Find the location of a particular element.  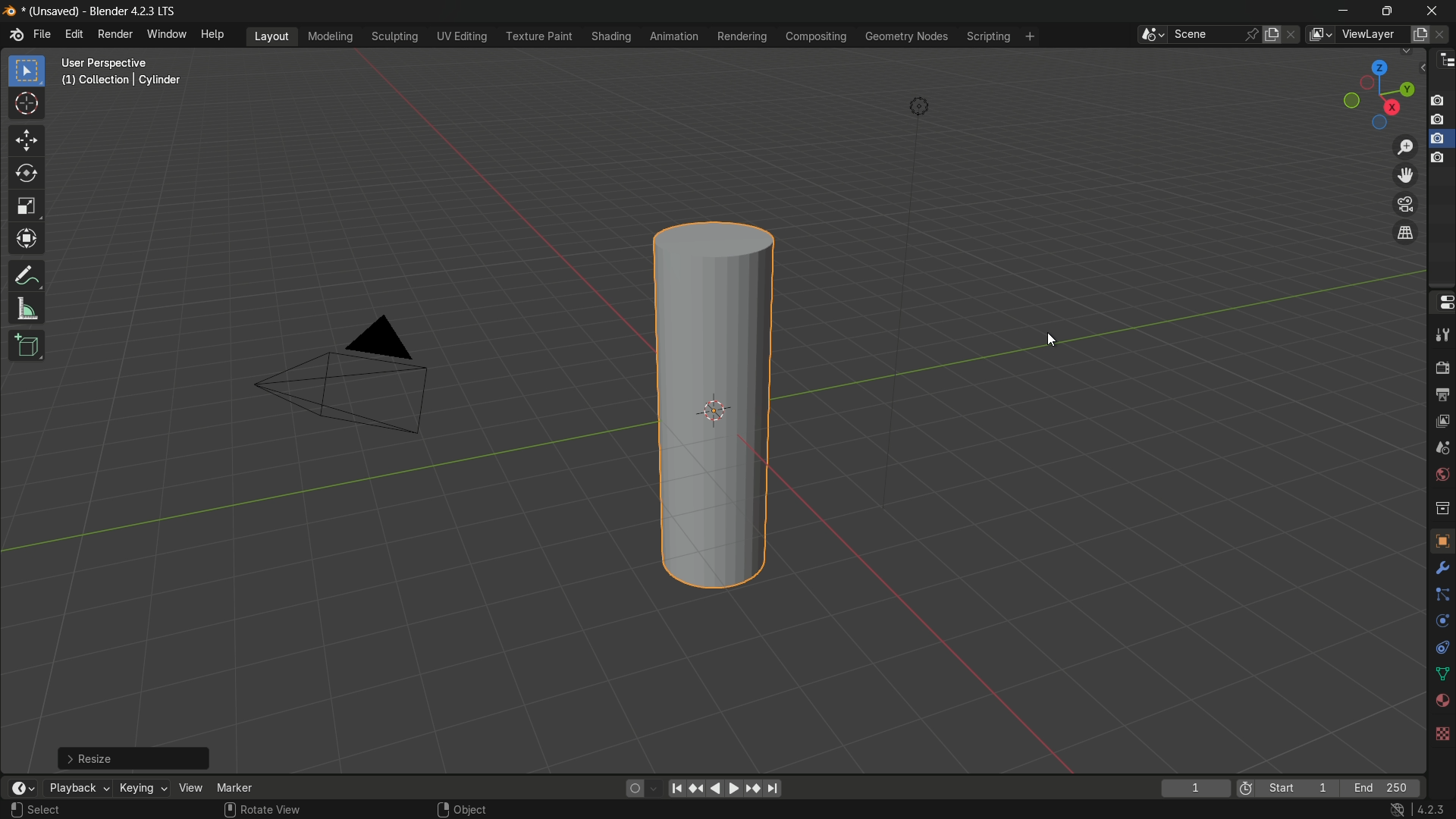

playback is located at coordinates (77, 788).